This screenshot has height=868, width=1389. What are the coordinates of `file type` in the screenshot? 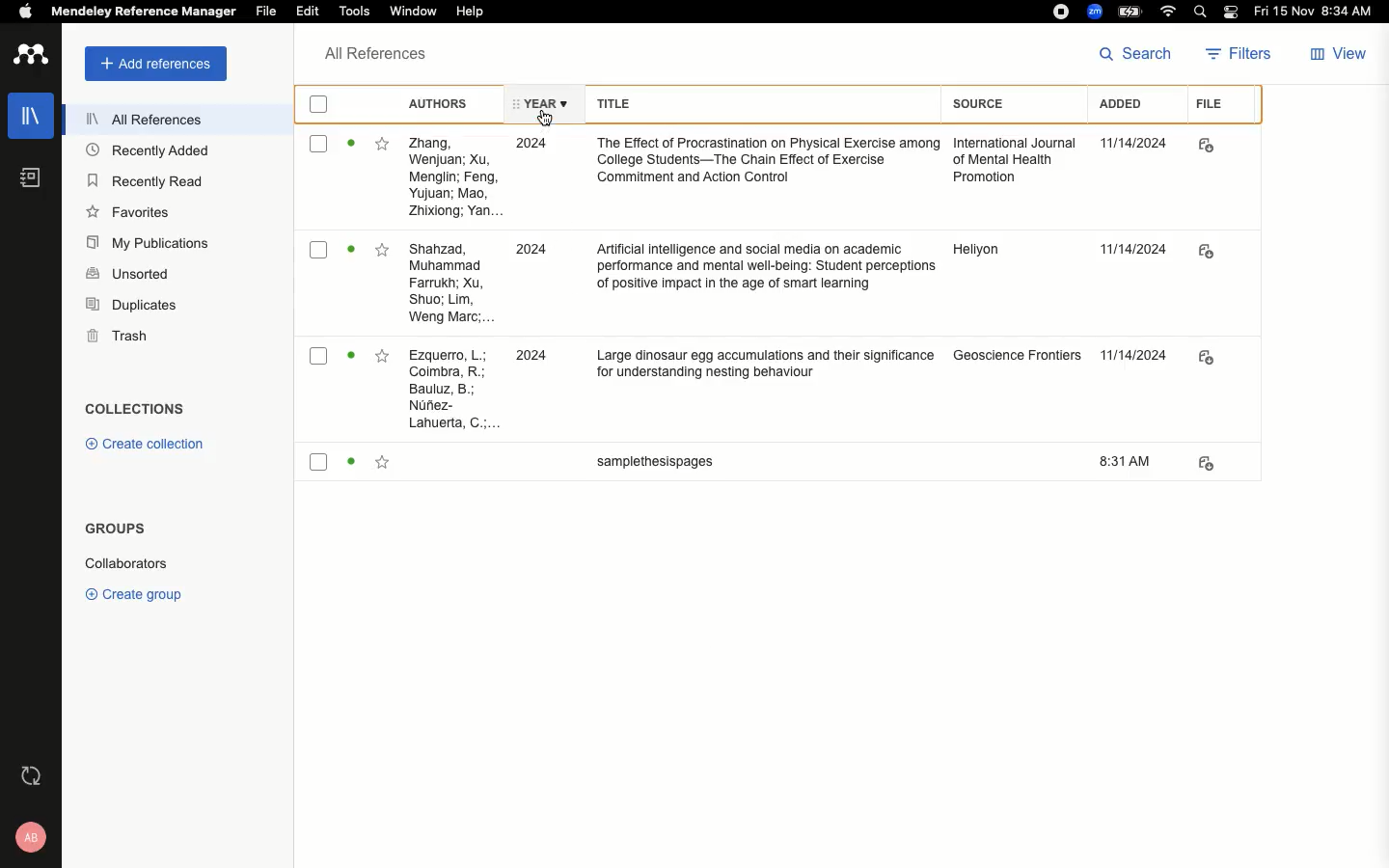 It's located at (1223, 361).